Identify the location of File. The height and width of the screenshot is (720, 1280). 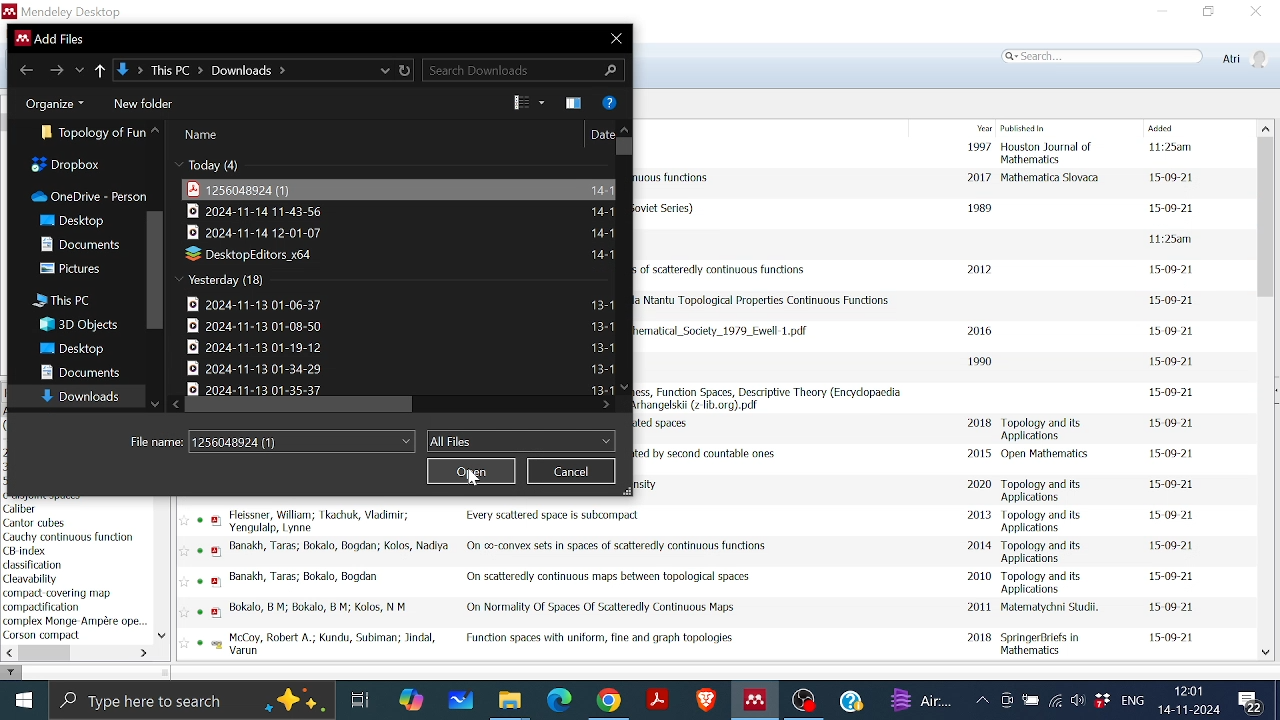
(599, 190).